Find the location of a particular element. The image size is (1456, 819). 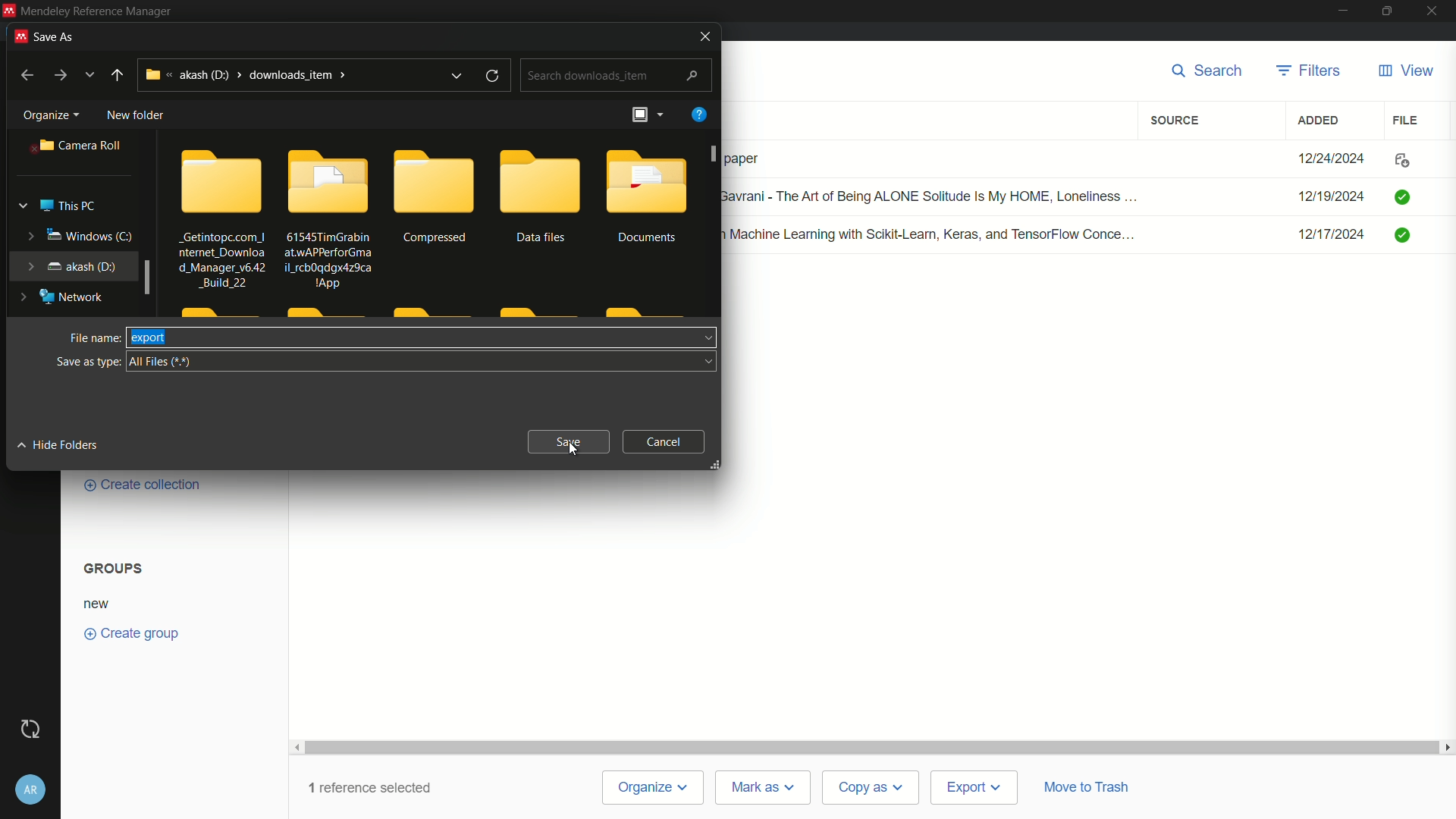

get help is located at coordinates (698, 116).